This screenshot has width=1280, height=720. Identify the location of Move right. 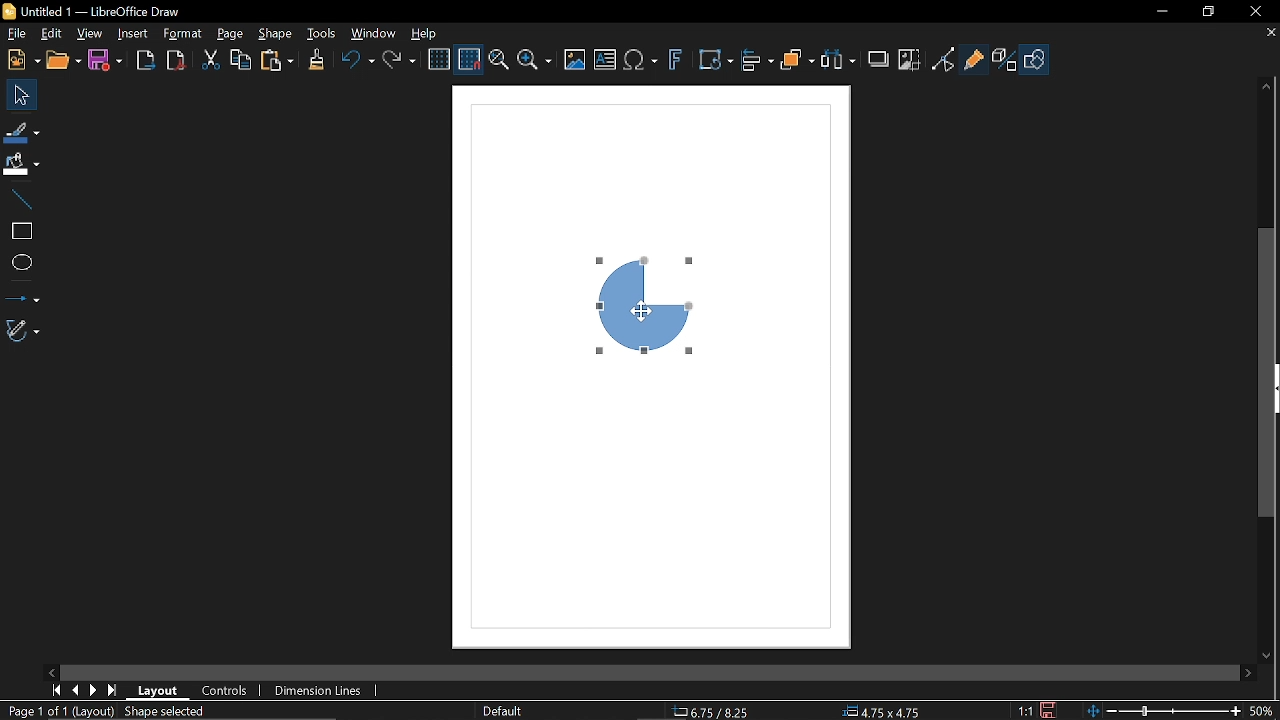
(1245, 672).